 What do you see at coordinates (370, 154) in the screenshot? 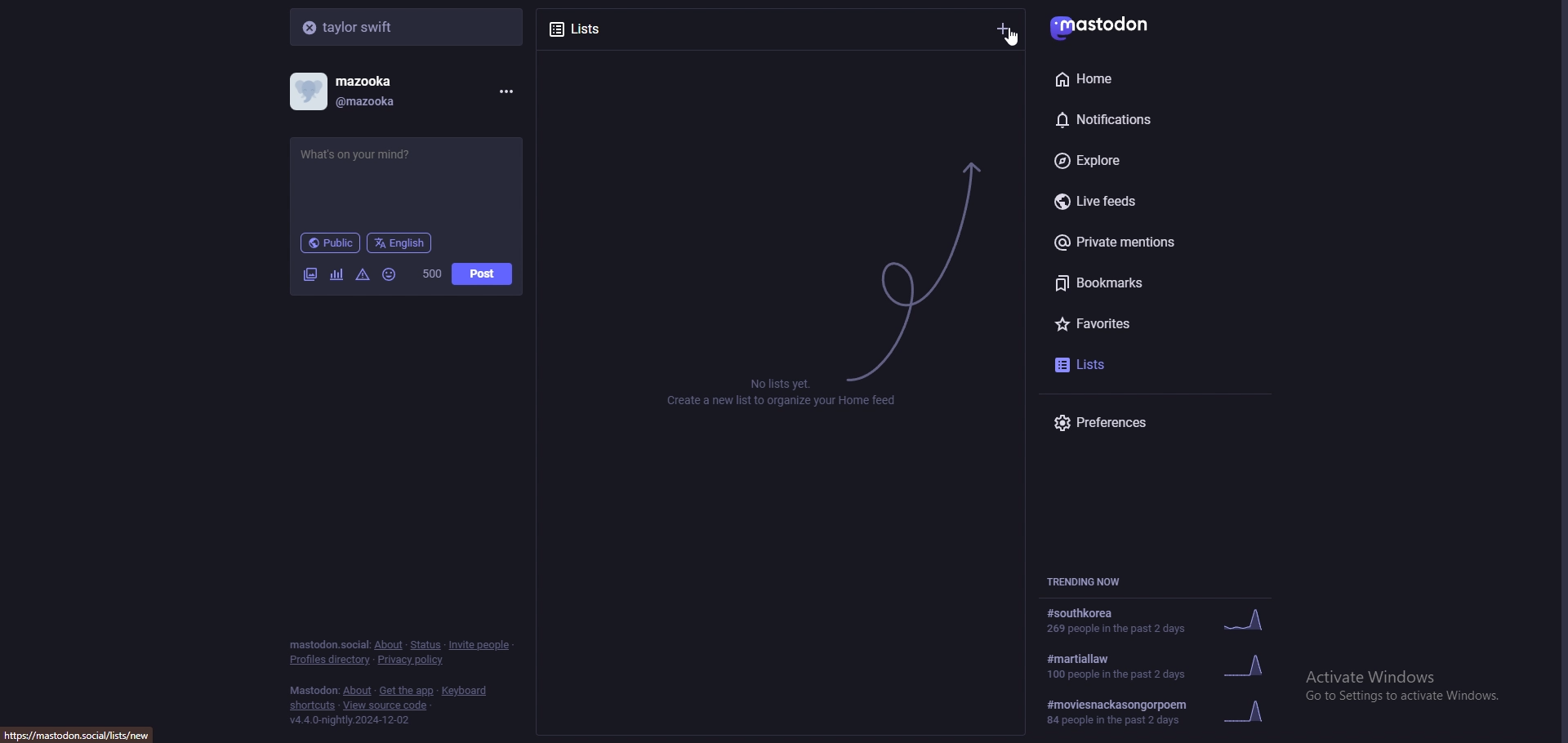
I see `status update` at bounding box center [370, 154].